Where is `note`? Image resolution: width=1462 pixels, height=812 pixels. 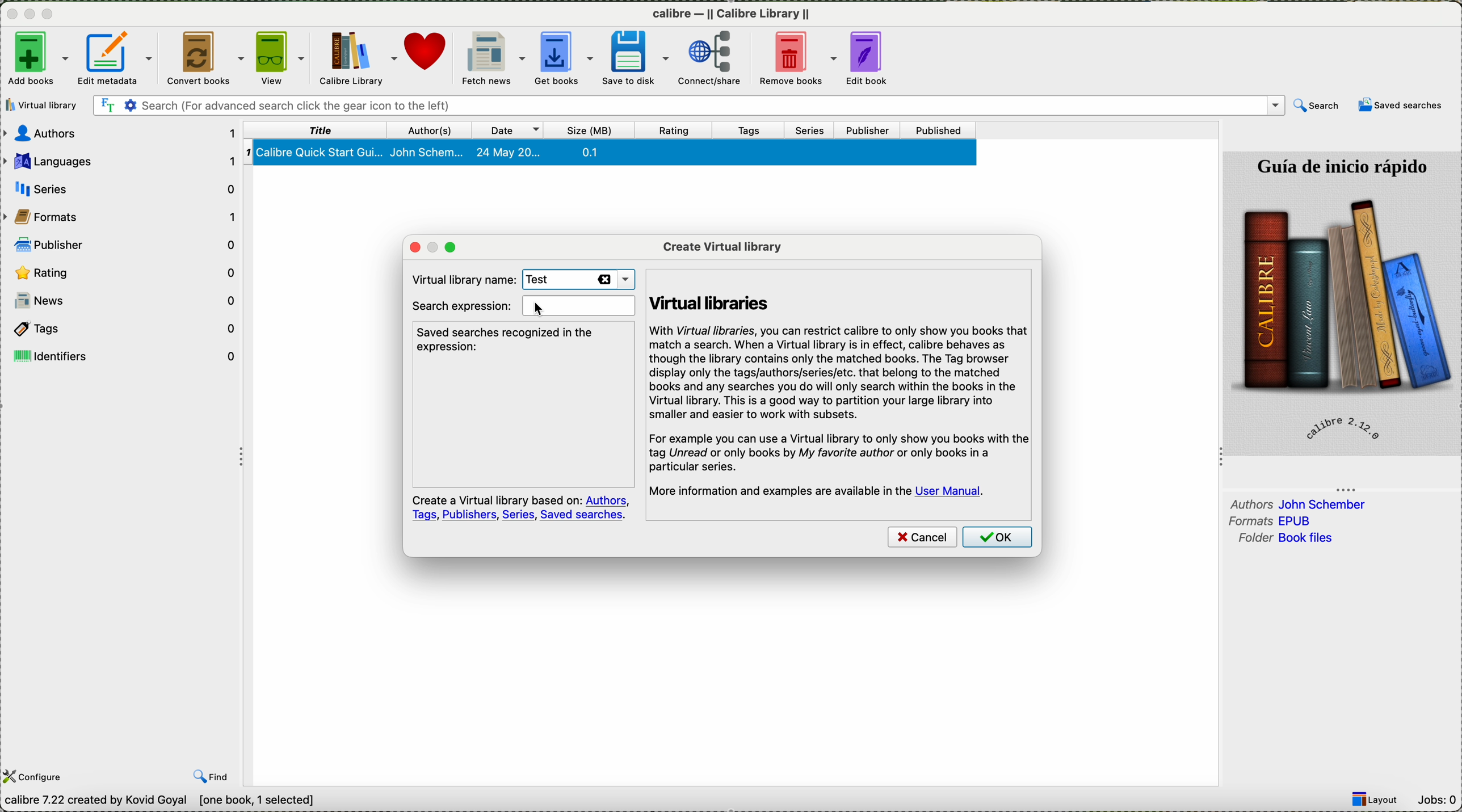
note is located at coordinates (521, 508).